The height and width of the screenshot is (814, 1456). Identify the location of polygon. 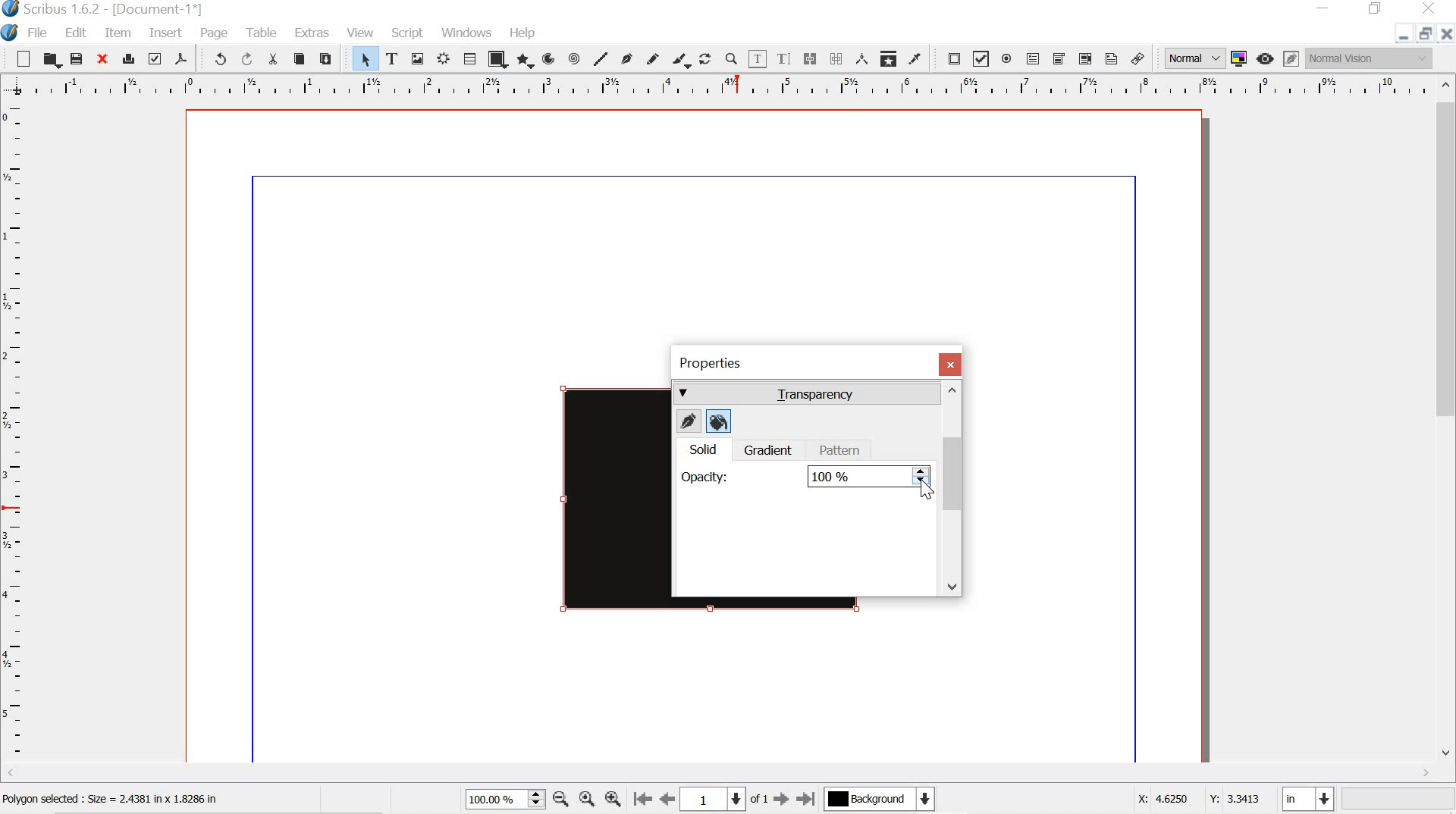
(525, 62).